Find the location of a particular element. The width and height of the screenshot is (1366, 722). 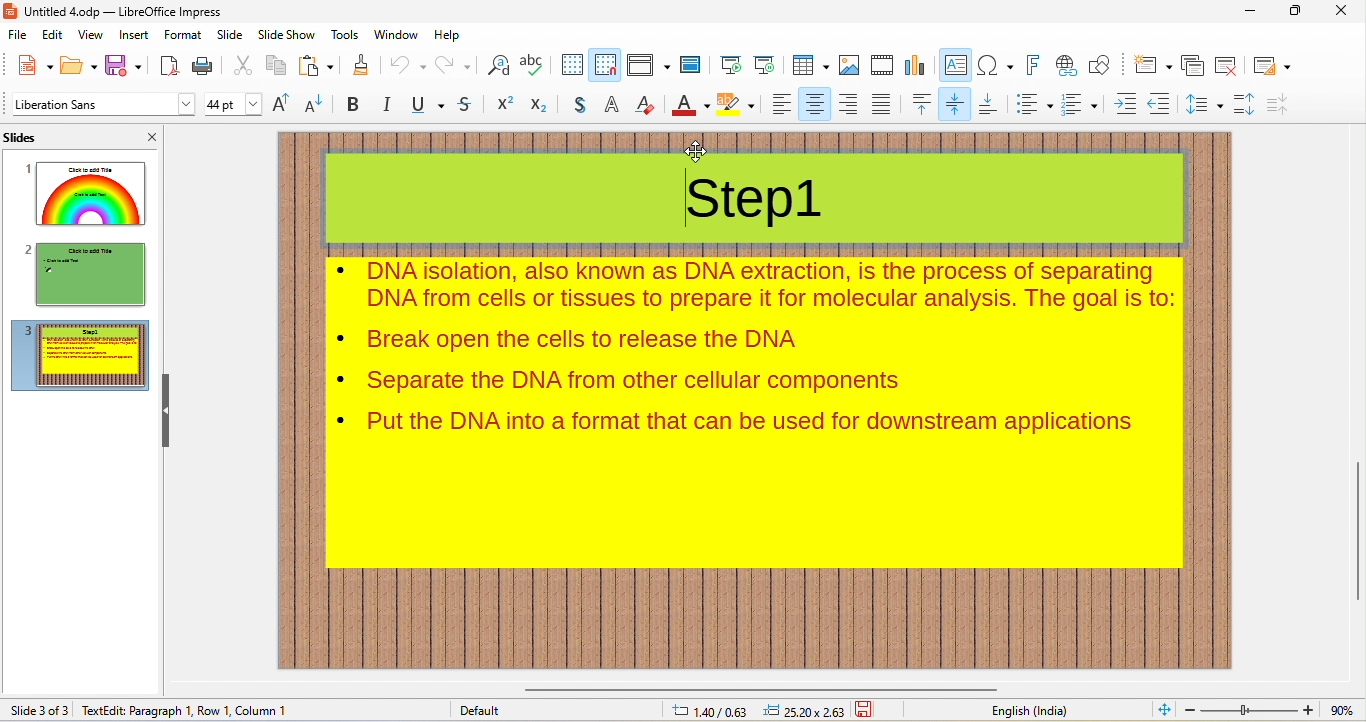

cursor and object position changed is located at coordinates (758, 711).